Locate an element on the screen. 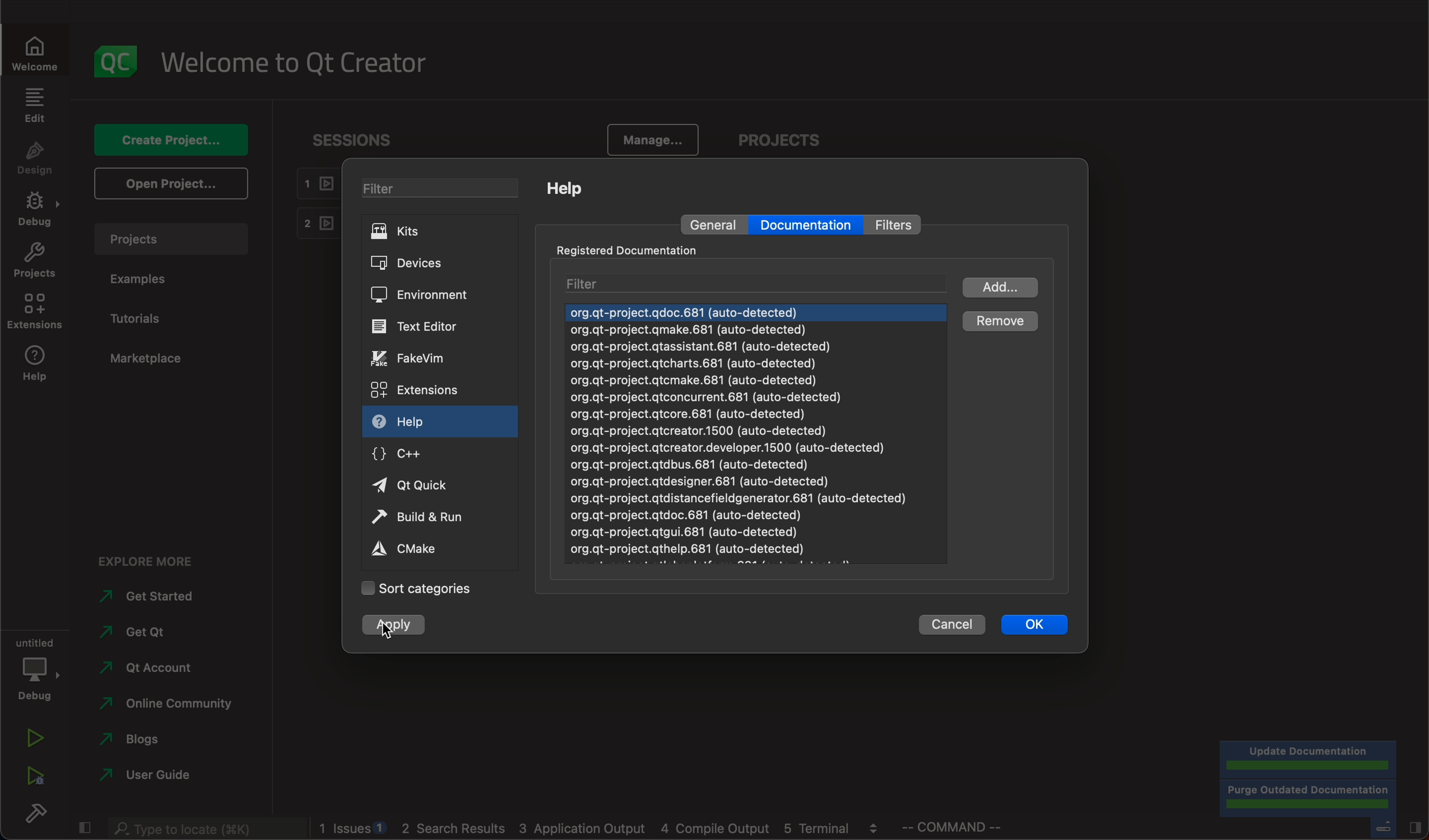 The height and width of the screenshot is (840, 1429). design is located at coordinates (36, 164).